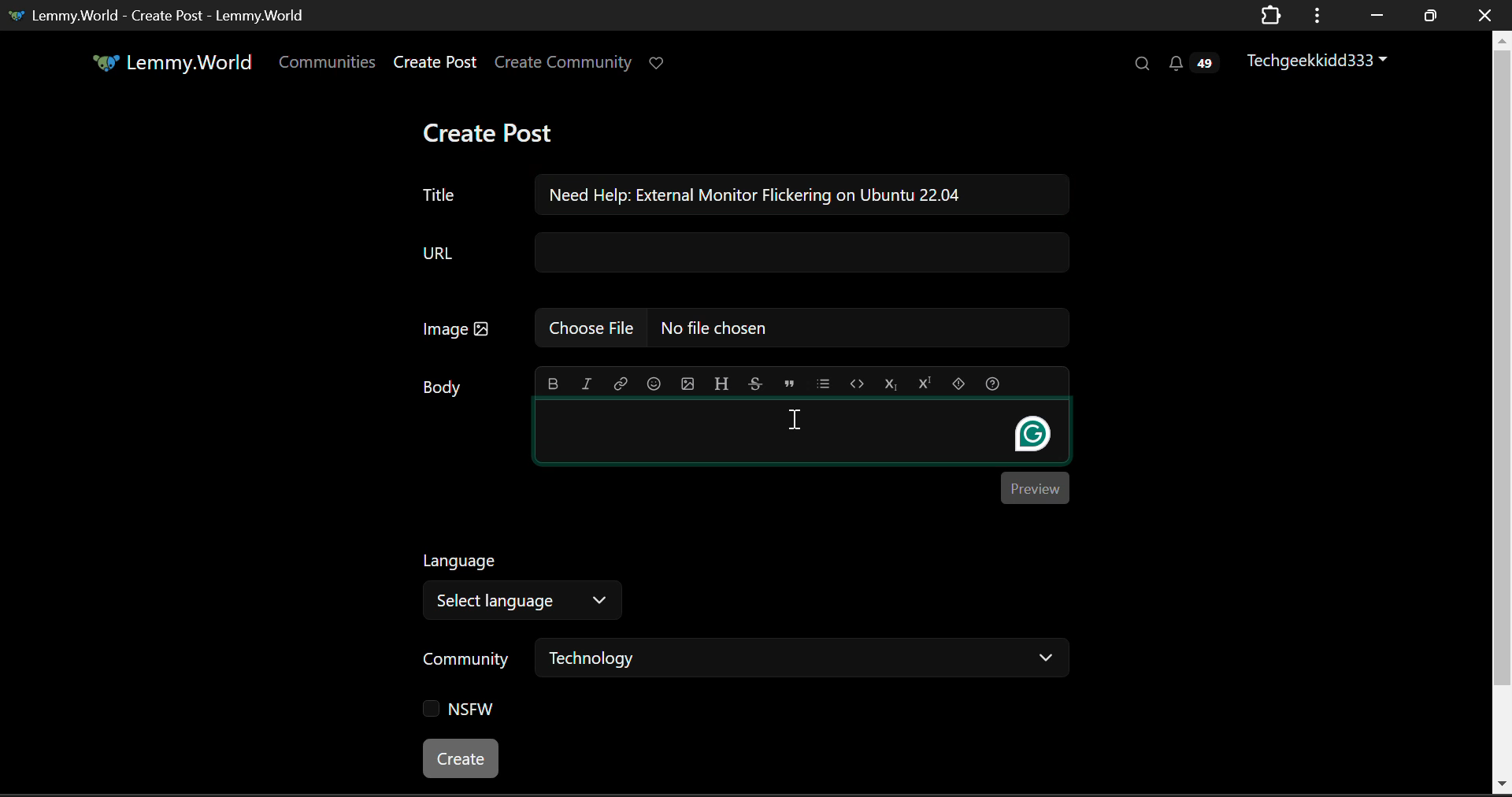 Image resolution: width=1512 pixels, height=797 pixels. I want to click on Create, so click(463, 759).